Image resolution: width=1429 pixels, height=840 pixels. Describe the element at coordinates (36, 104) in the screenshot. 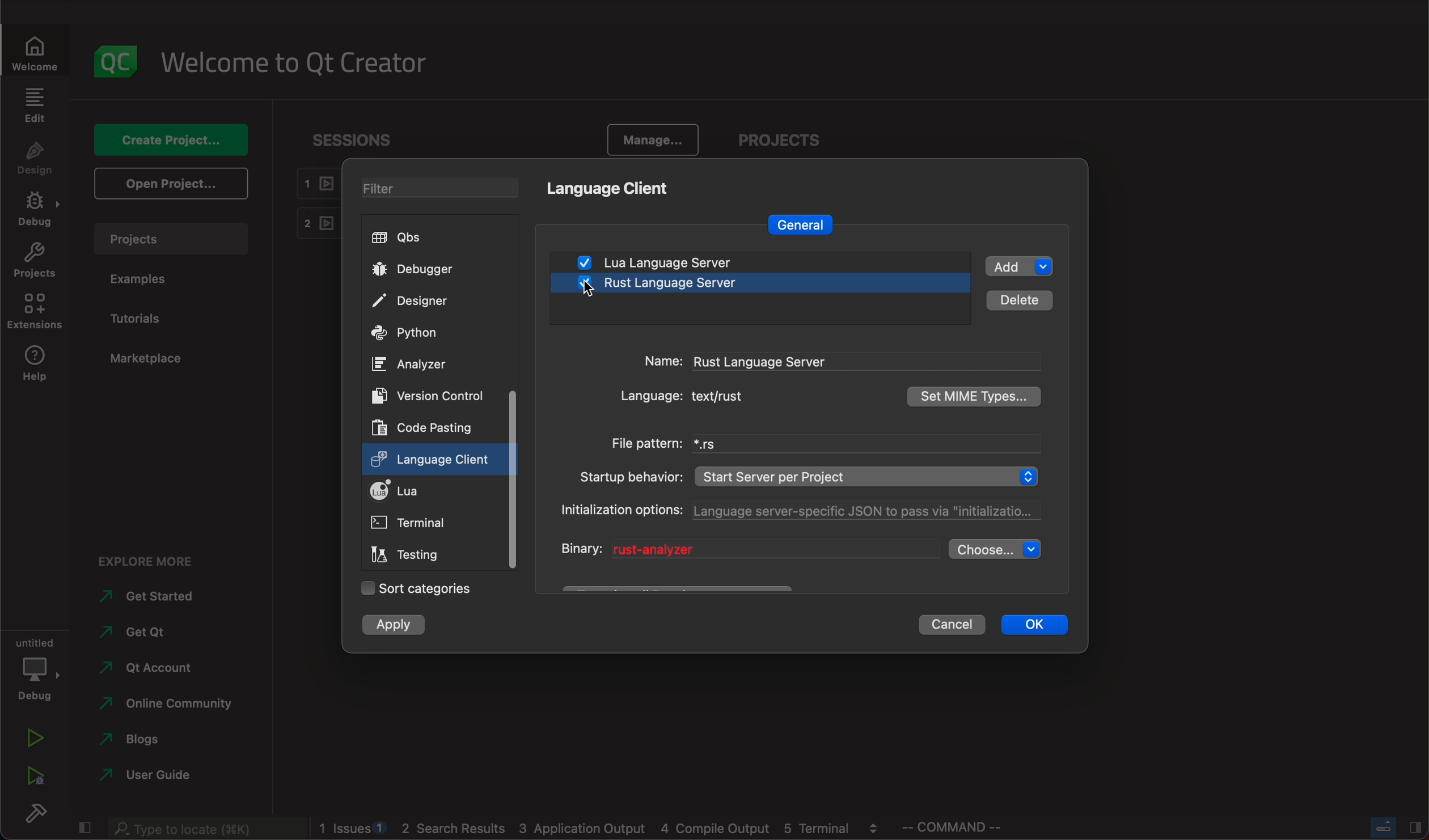

I see `edit` at that location.